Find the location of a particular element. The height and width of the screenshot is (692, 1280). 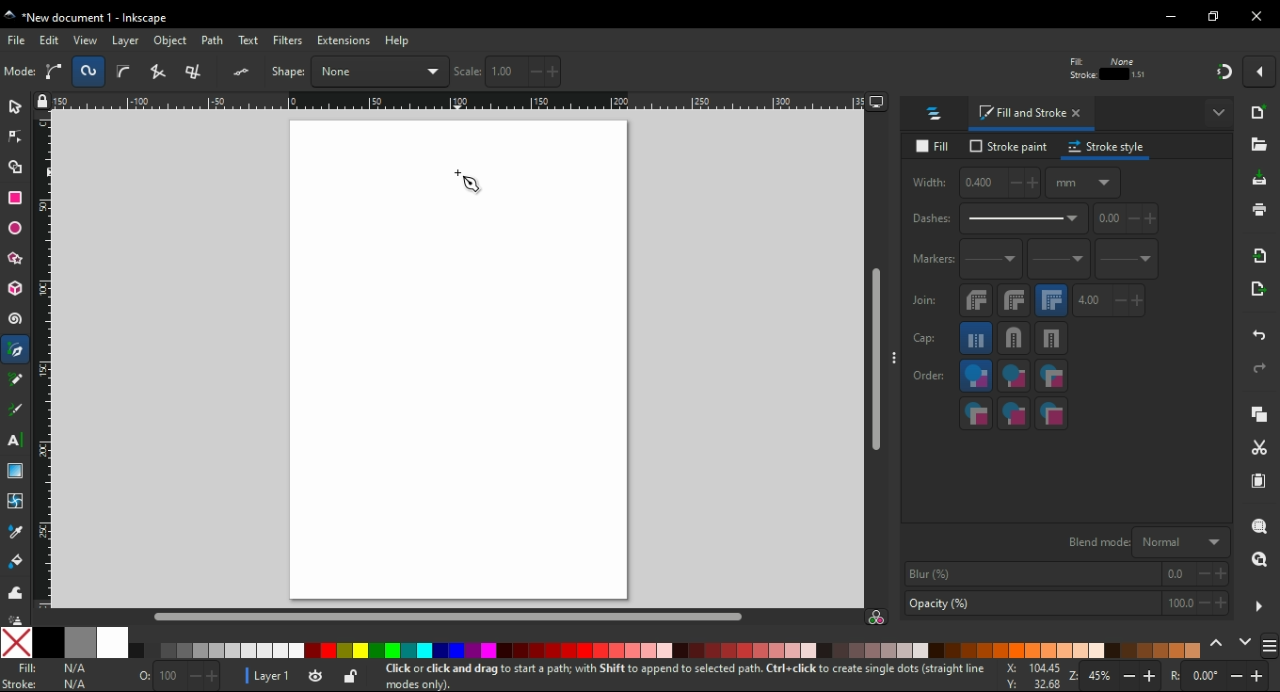

fill,stroke,markers is located at coordinates (976, 377).